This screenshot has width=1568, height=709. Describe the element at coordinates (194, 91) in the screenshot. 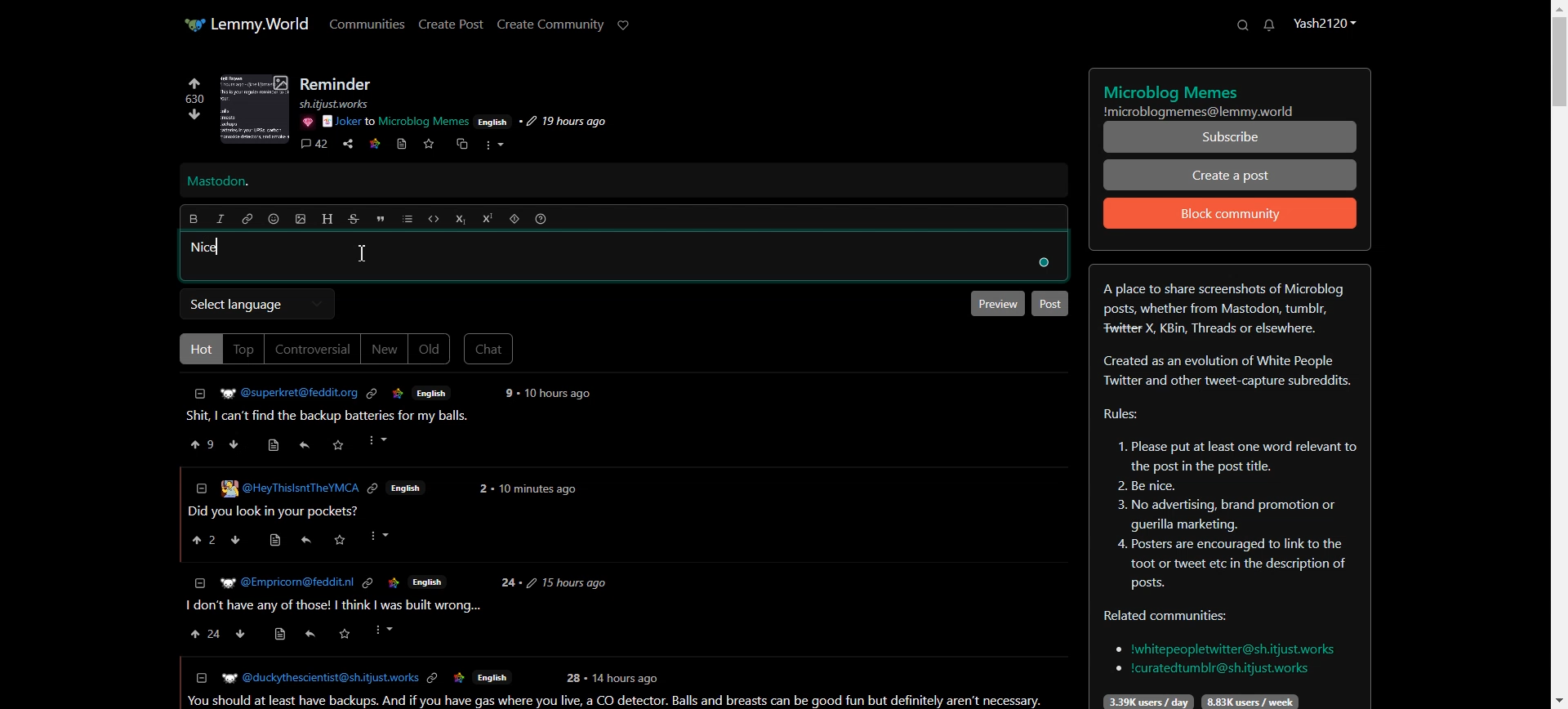

I see `Upvote` at that location.